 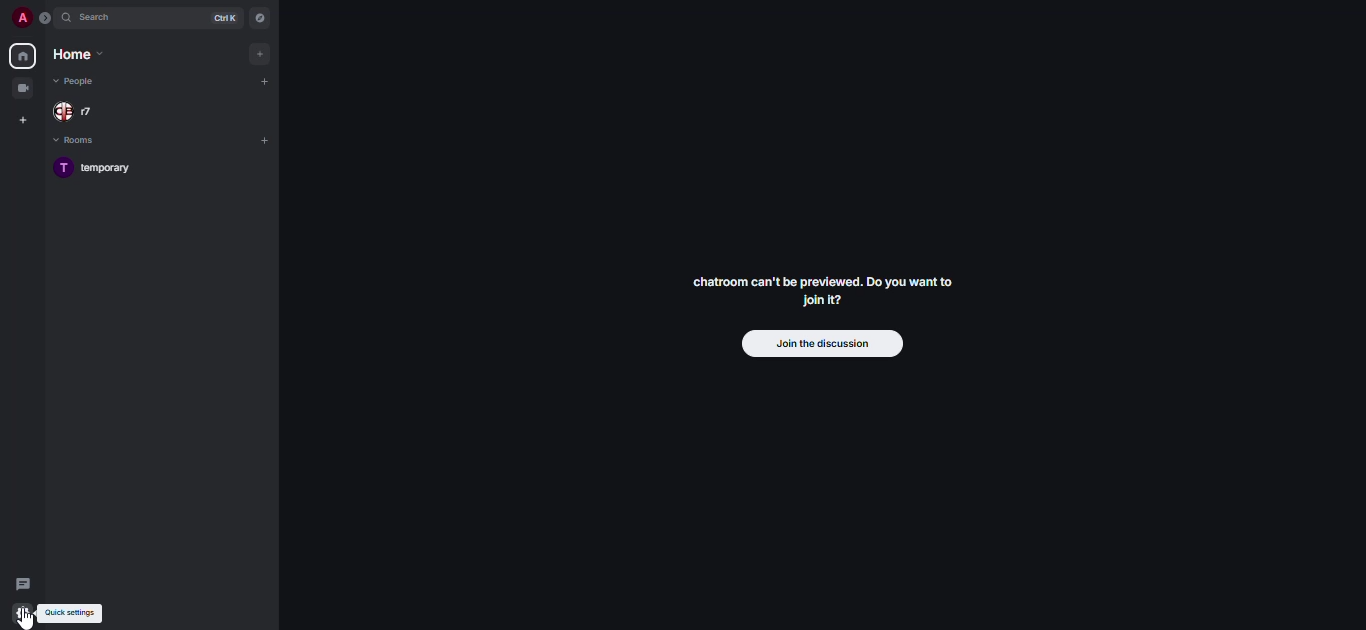 What do you see at coordinates (268, 140) in the screenshot?
I see `add` at bounding box center [268, 140].